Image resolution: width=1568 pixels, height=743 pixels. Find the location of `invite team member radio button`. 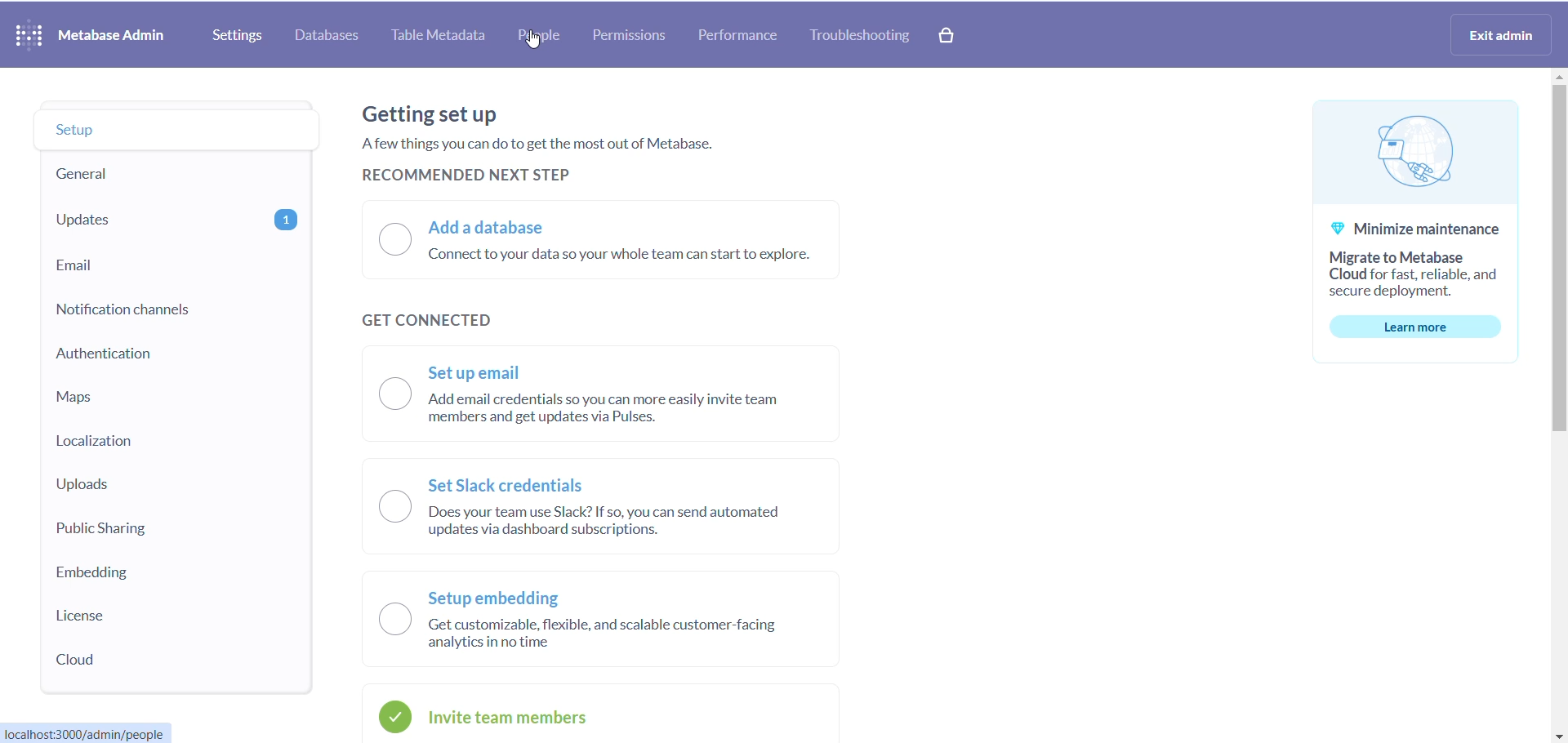

invite team member radio button is located at coordinates (512, 718).